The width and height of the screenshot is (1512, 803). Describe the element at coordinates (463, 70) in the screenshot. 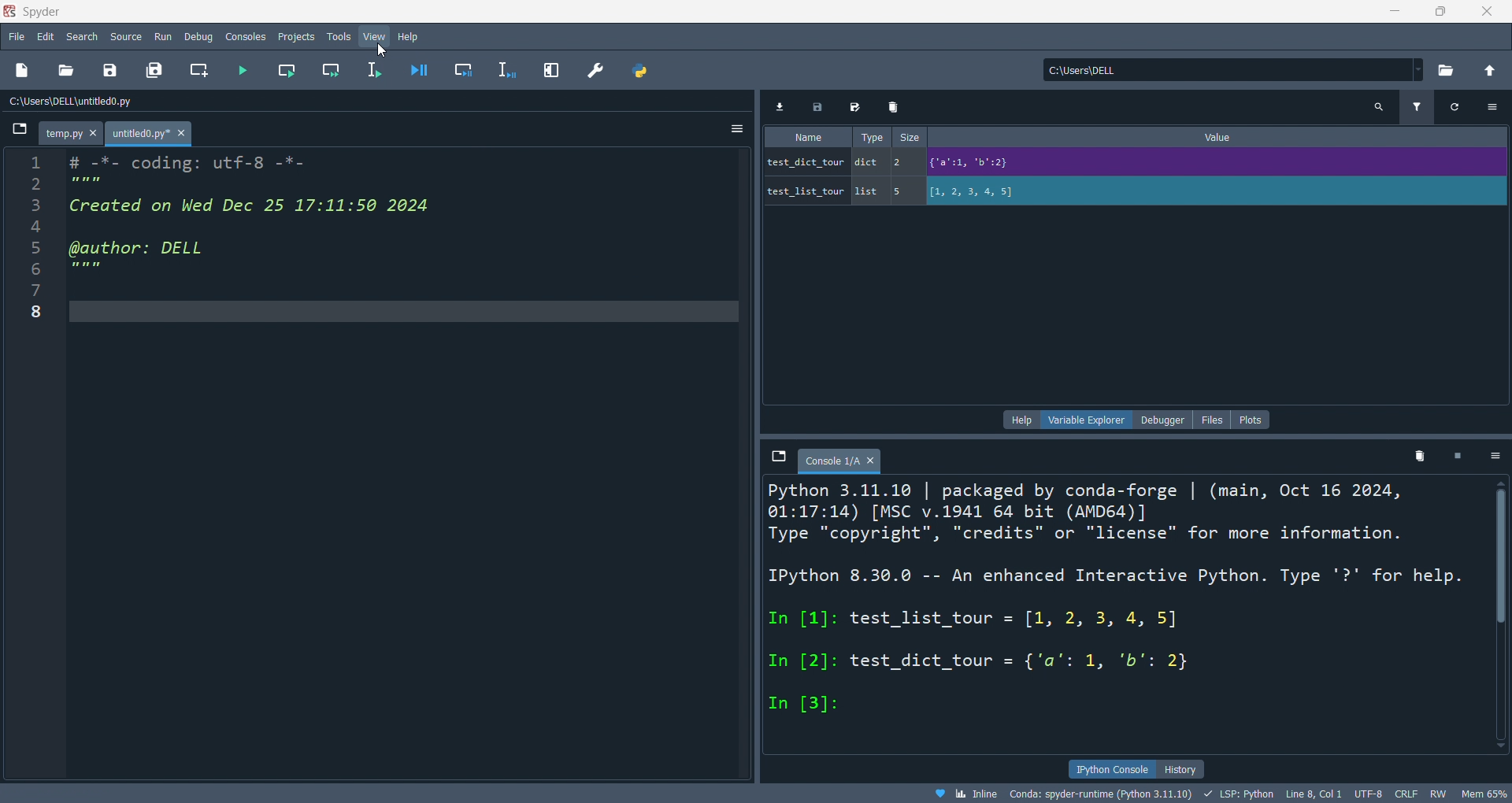

I see `debug cell` at that location.